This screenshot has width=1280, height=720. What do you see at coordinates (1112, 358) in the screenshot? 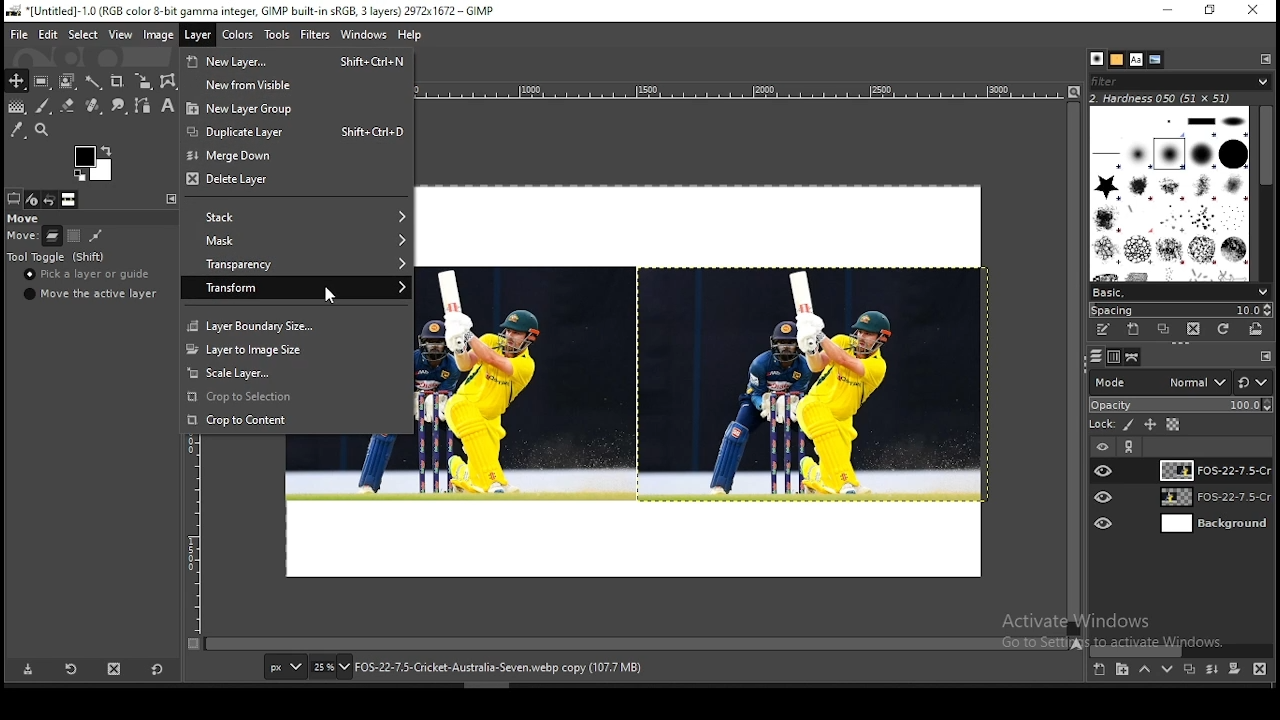
I see `channels` at bounding box center [1112, 358].